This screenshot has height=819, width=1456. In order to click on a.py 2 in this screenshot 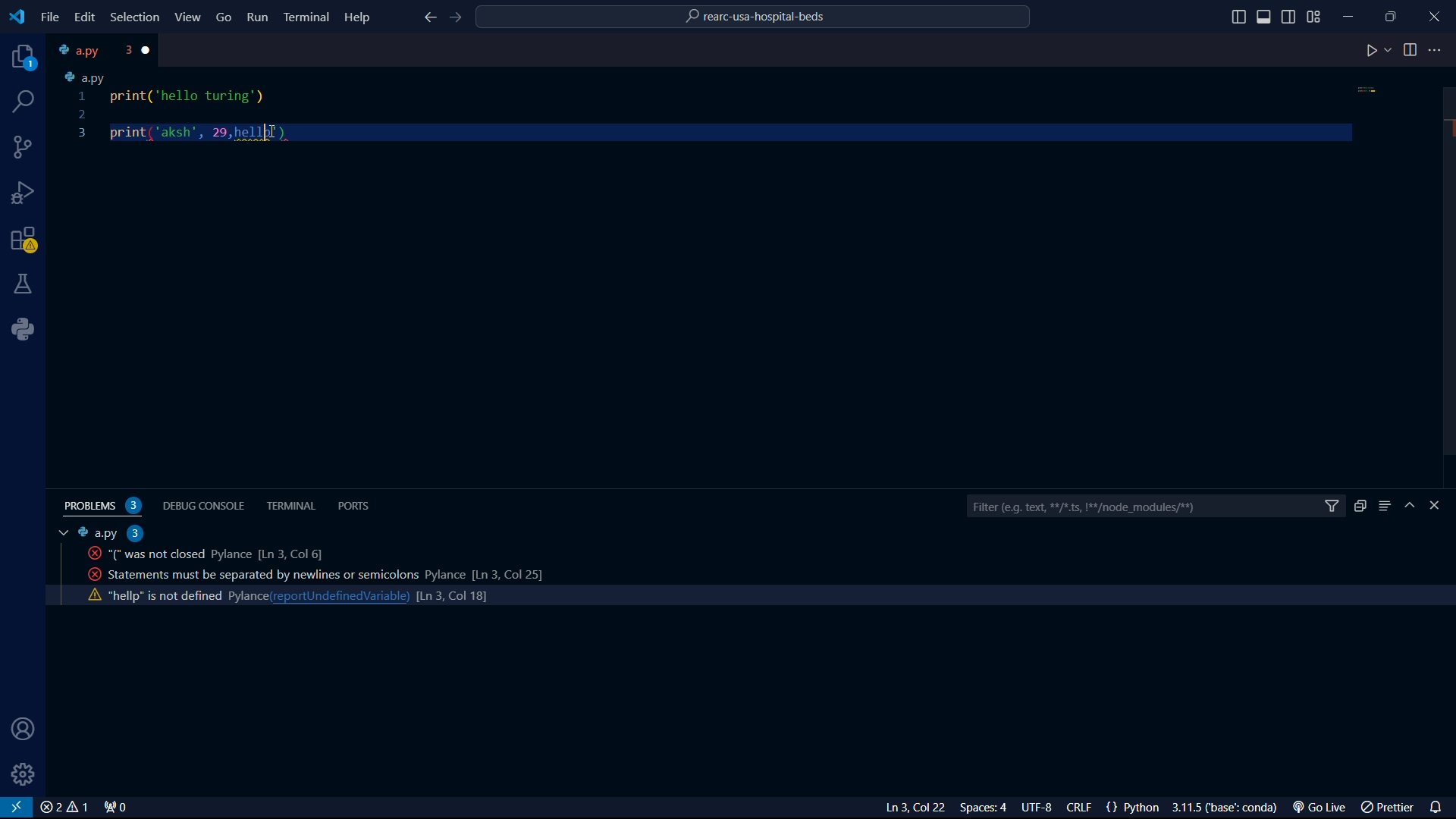, I will do `click(111, 532)`.